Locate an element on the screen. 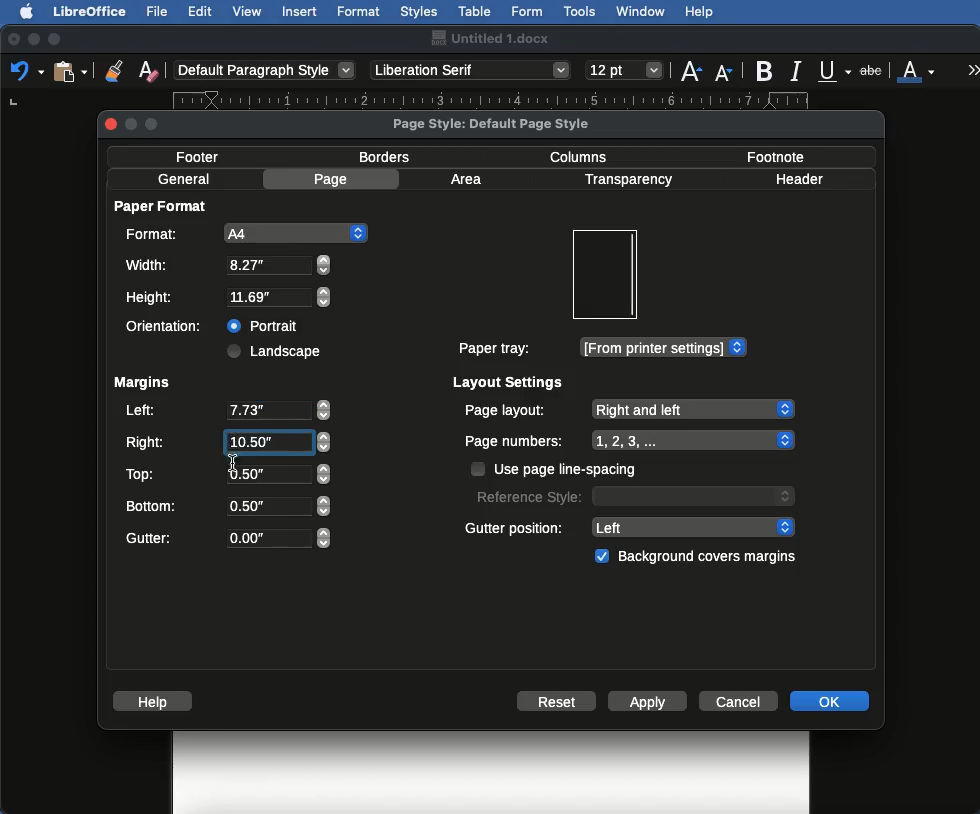 This screenshot has width=980, height=814. Name is located at coordinates (489, 38).